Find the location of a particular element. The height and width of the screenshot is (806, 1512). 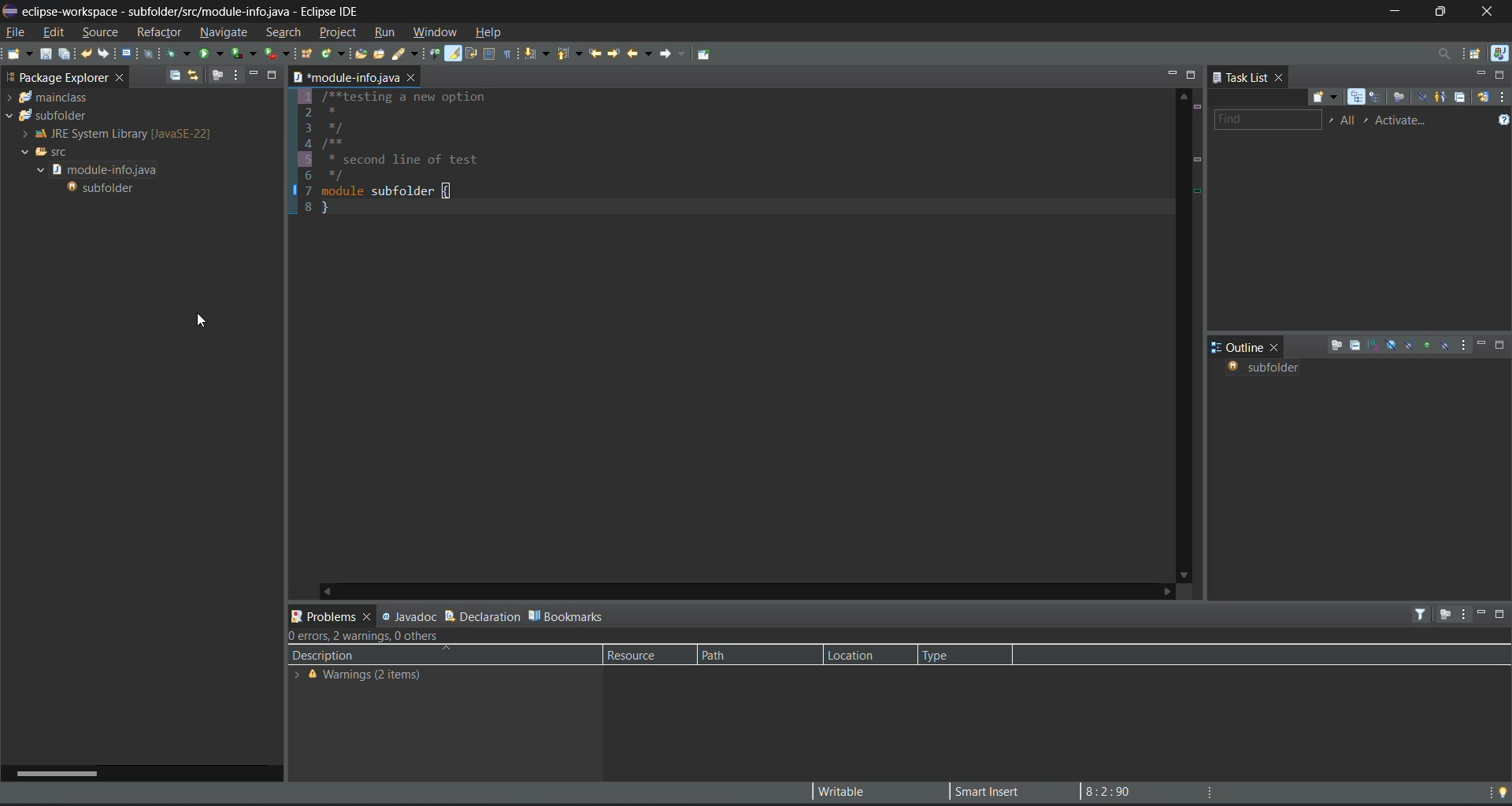

edit is located at coordinates (53, 33).